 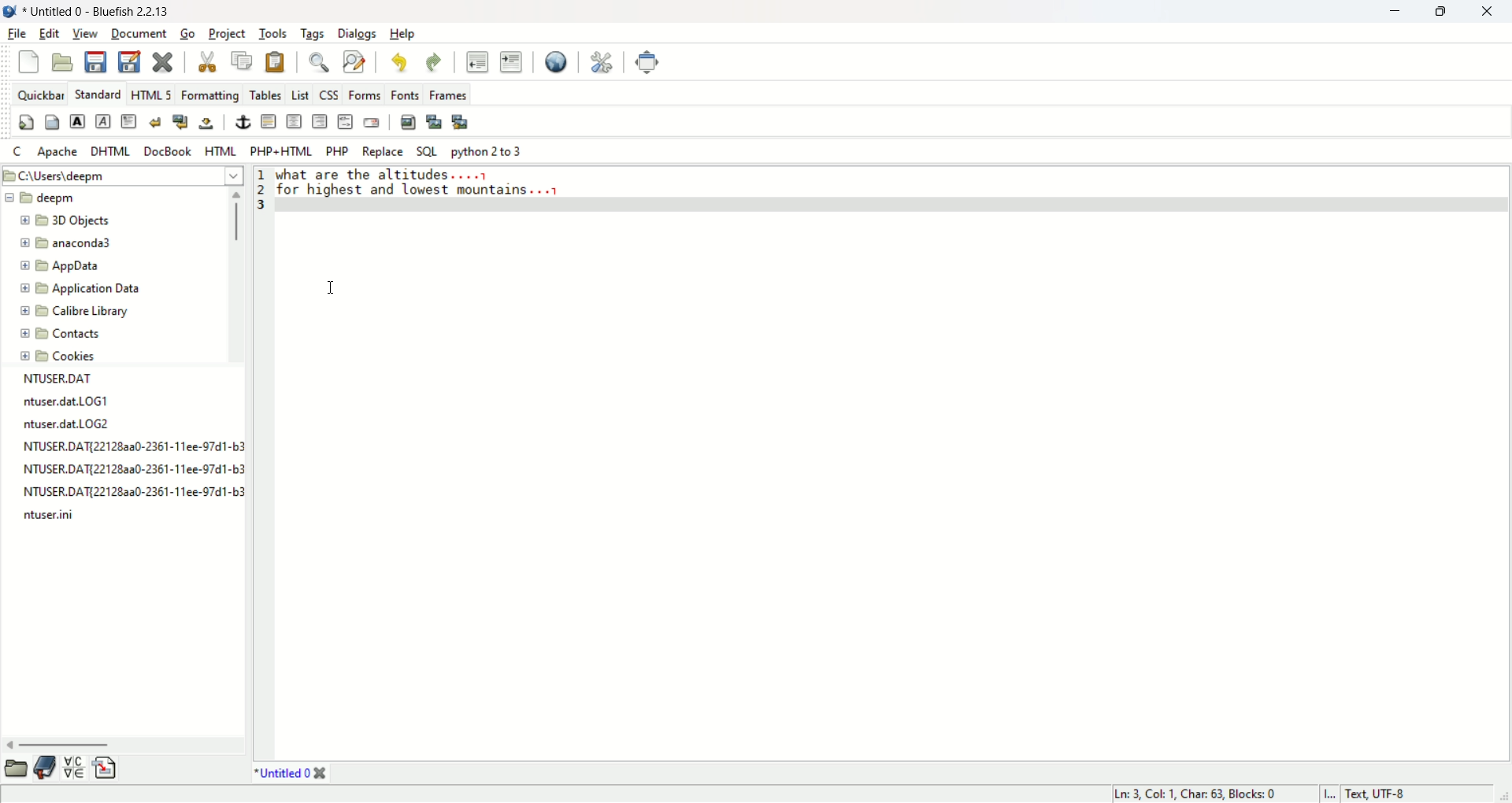 I want to click on close, so click(x=1490, y=11).